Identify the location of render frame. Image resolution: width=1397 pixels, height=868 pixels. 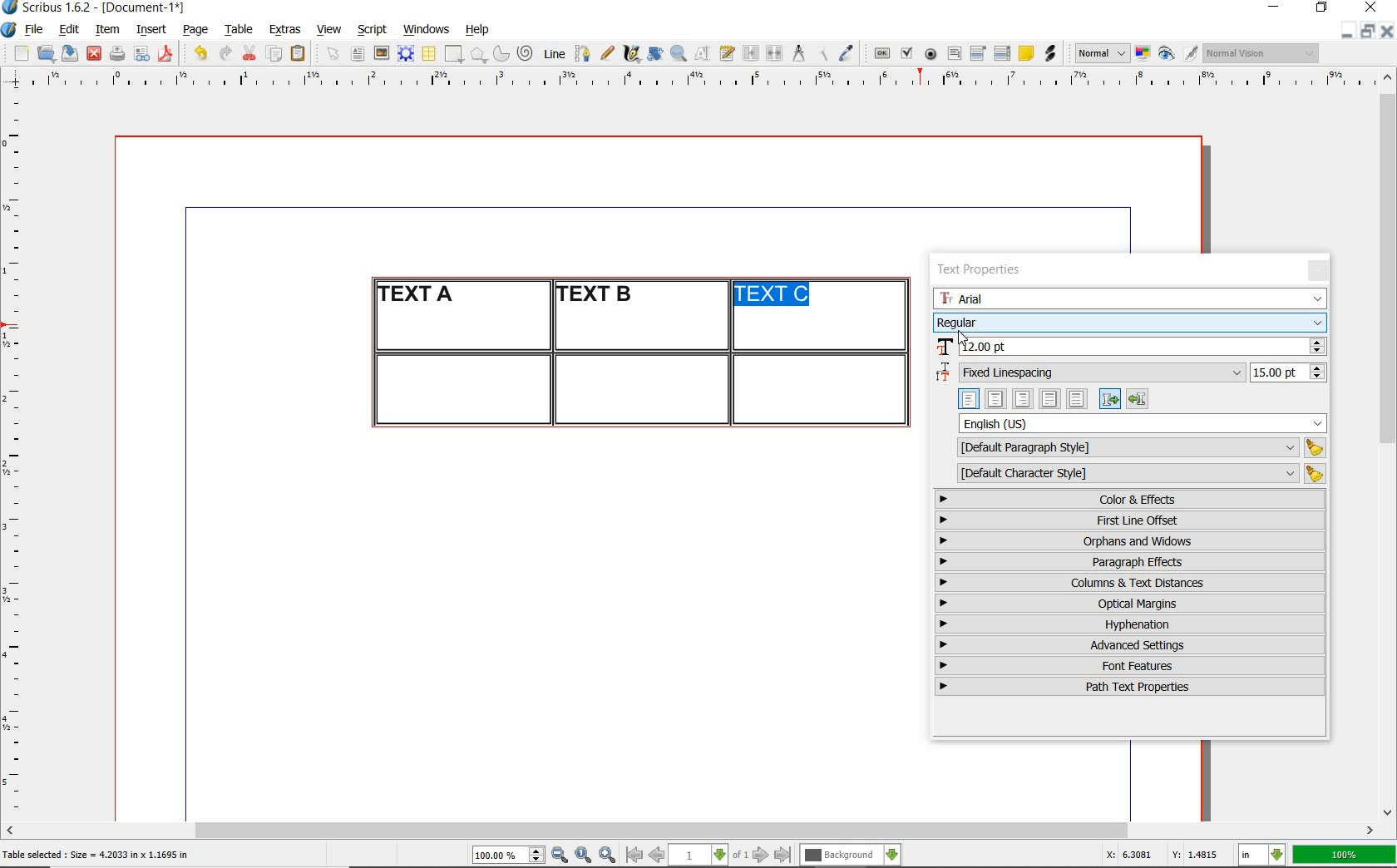
(406, 54).